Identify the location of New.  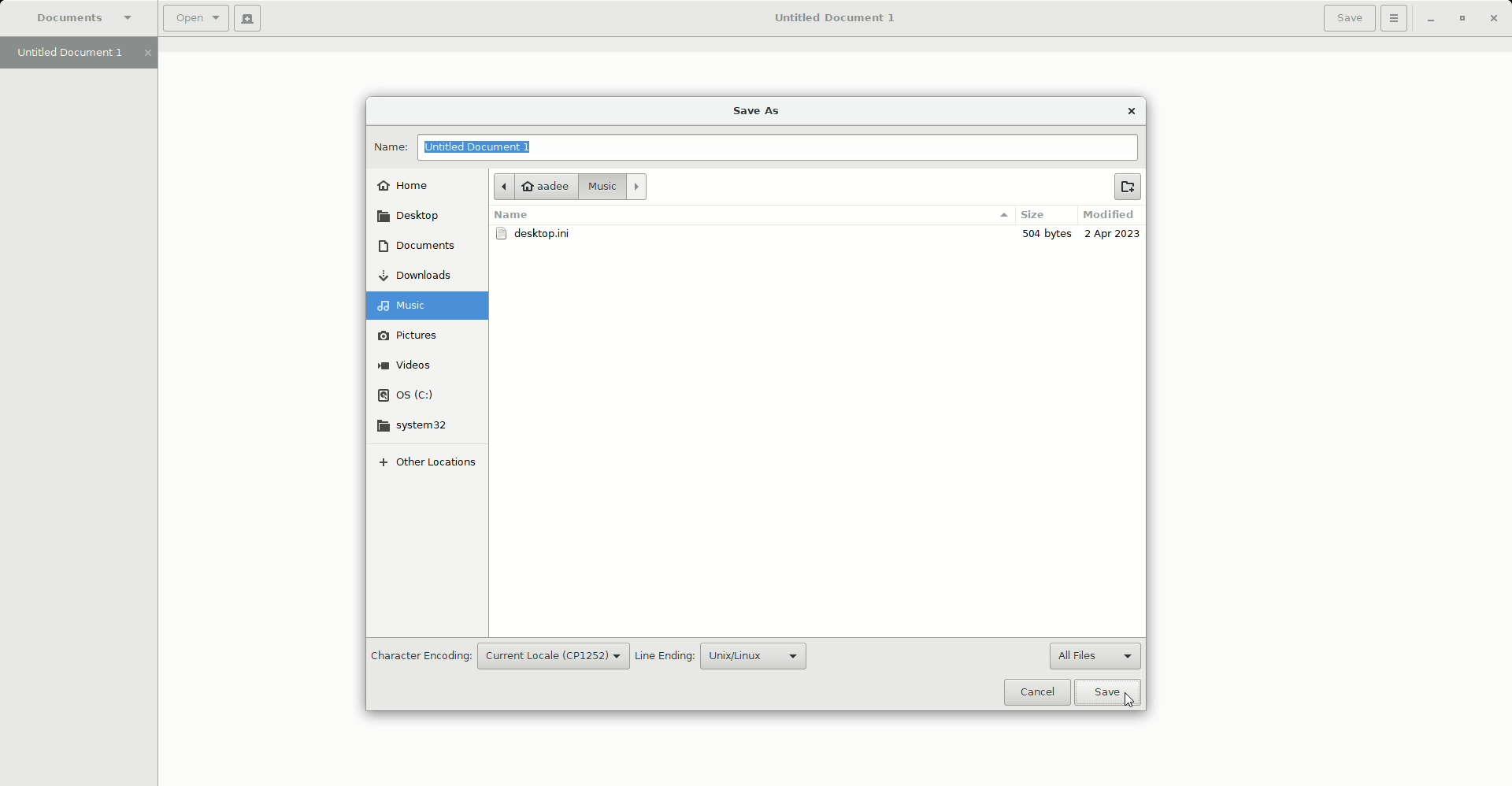
(245, 20).